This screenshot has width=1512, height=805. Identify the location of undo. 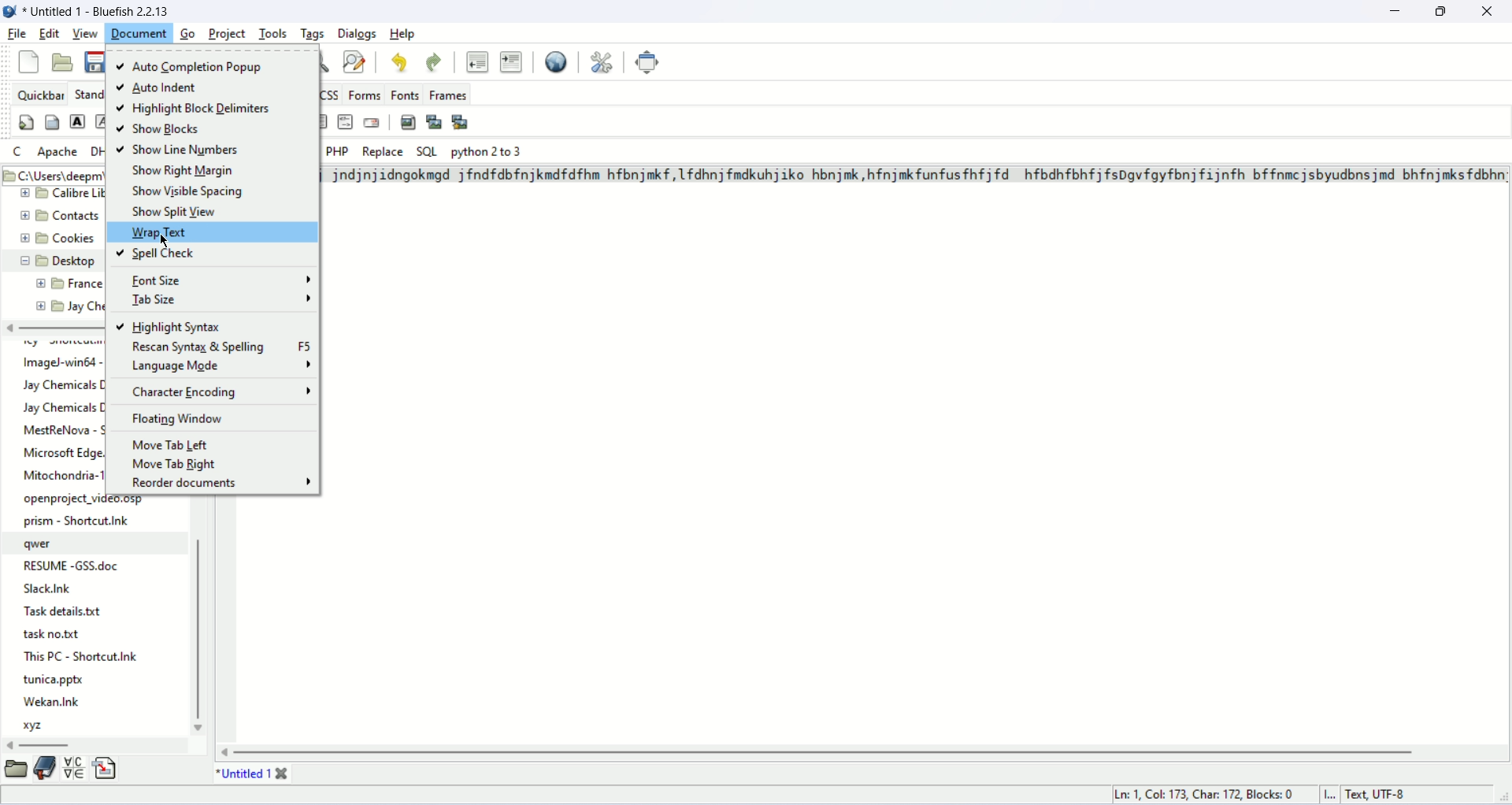
(402, 65).